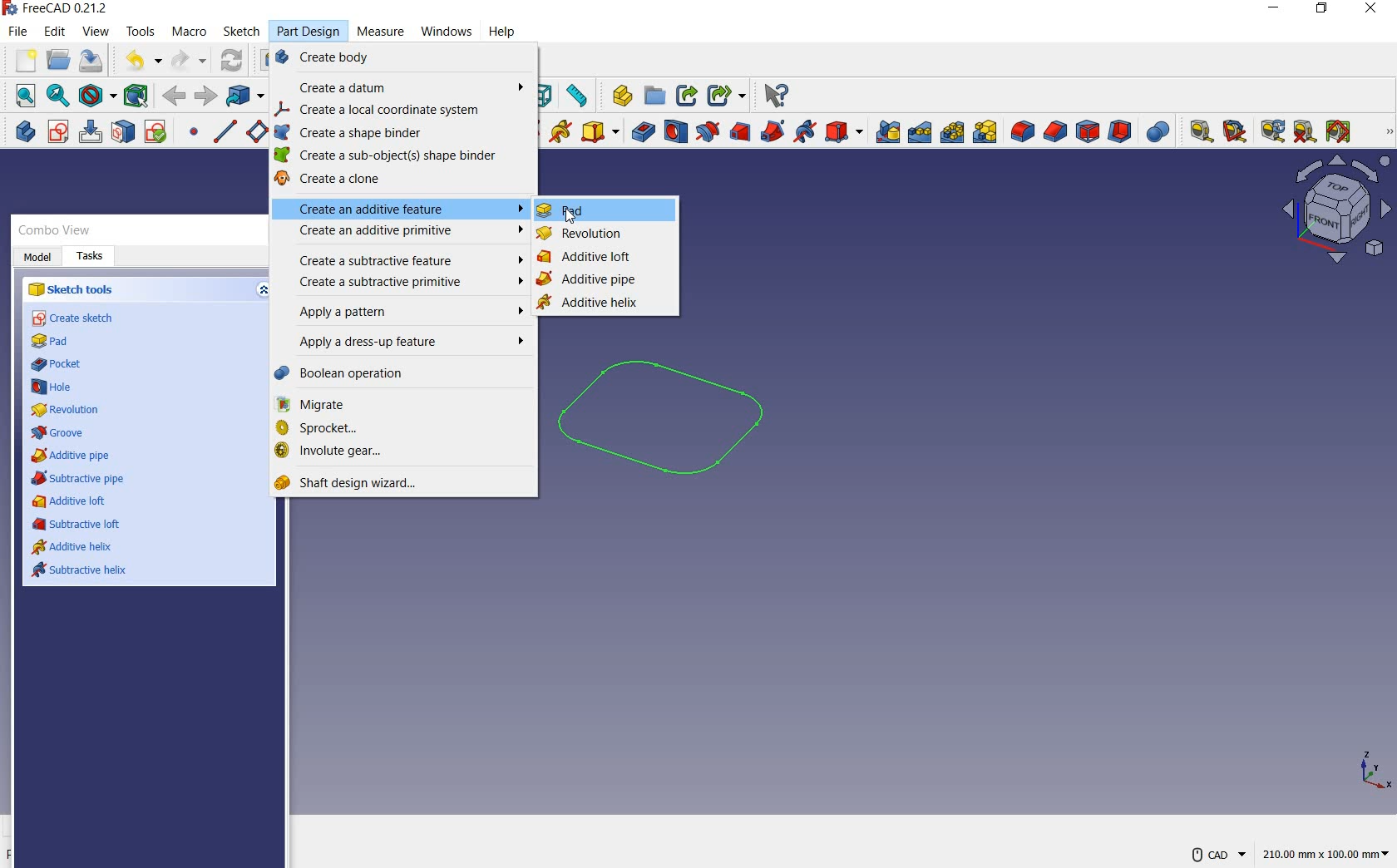 The image size is (1397, 868). Describe the element at coordinates (388, 180) in the screenshot. I see `create a clone` at that location.